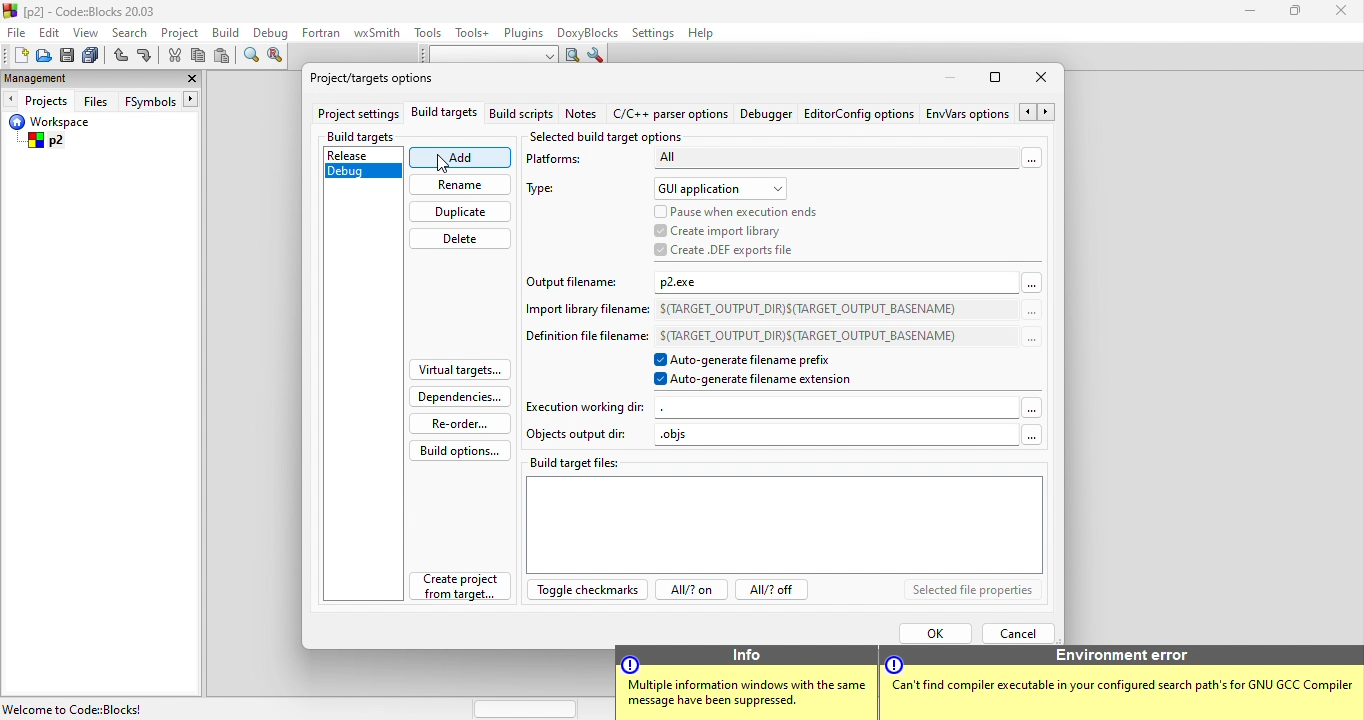 Image resolution: width=1364 pixels, height=720 pixels. Describe the element at coordinates (550, 190) in the screenshot. I see `type` at that location.